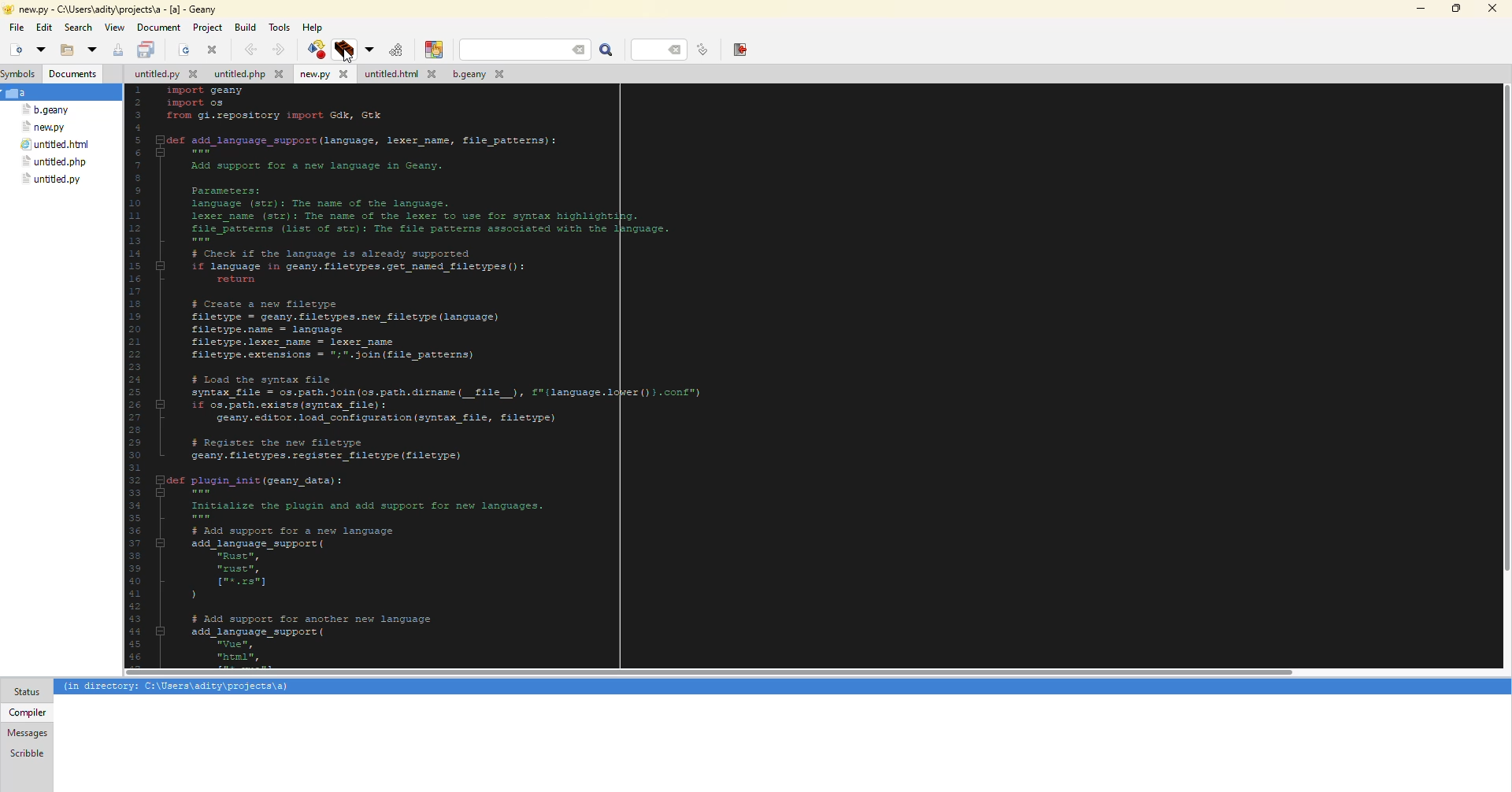 The width and height of the screenshot is (1512, 792). Describe the element at coordinates (28, 712) in the screenshot. I see `compiler` at that location.